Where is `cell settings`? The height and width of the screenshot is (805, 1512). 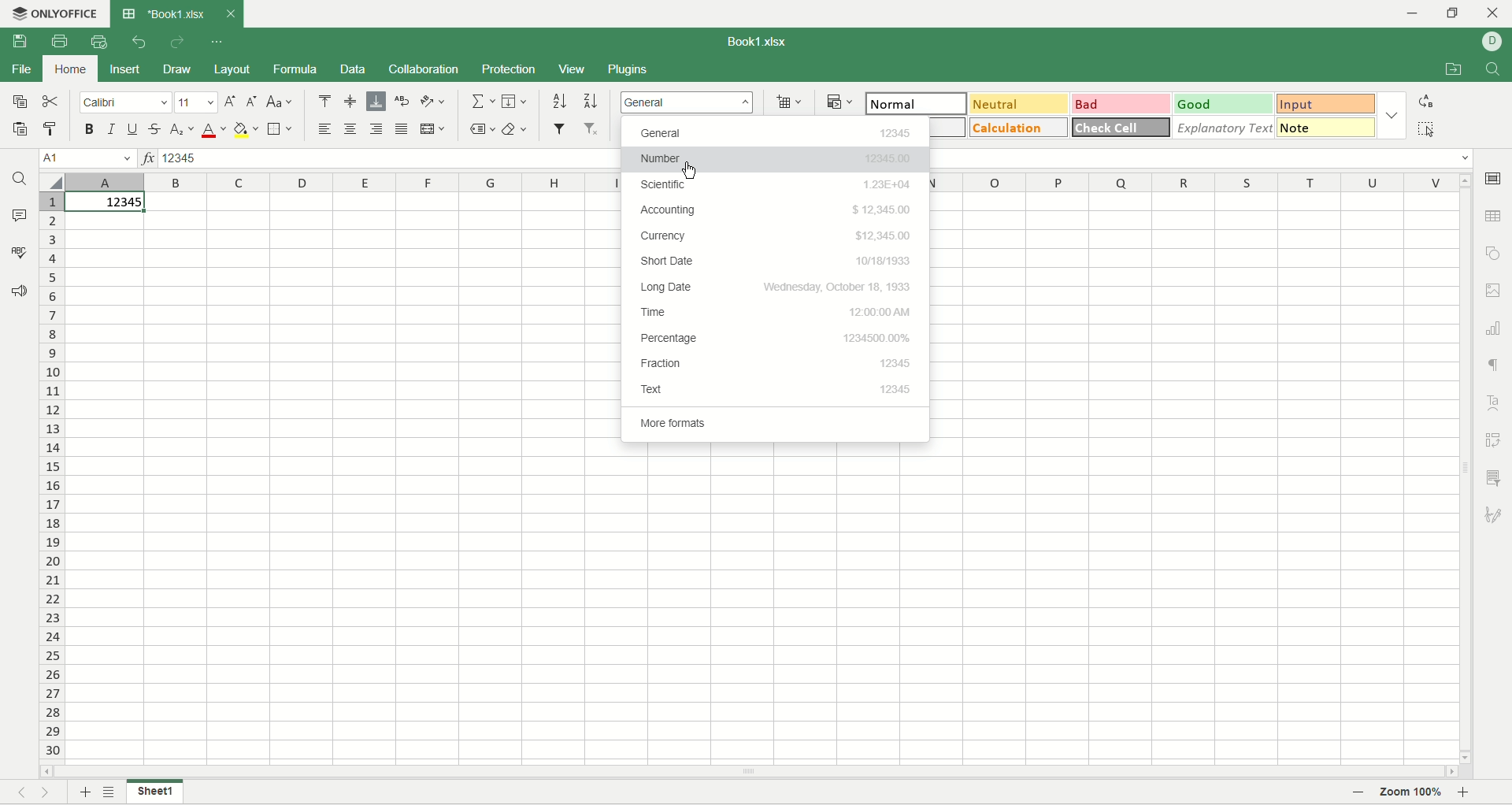 cell settings is located at coordinates (1493, 181).